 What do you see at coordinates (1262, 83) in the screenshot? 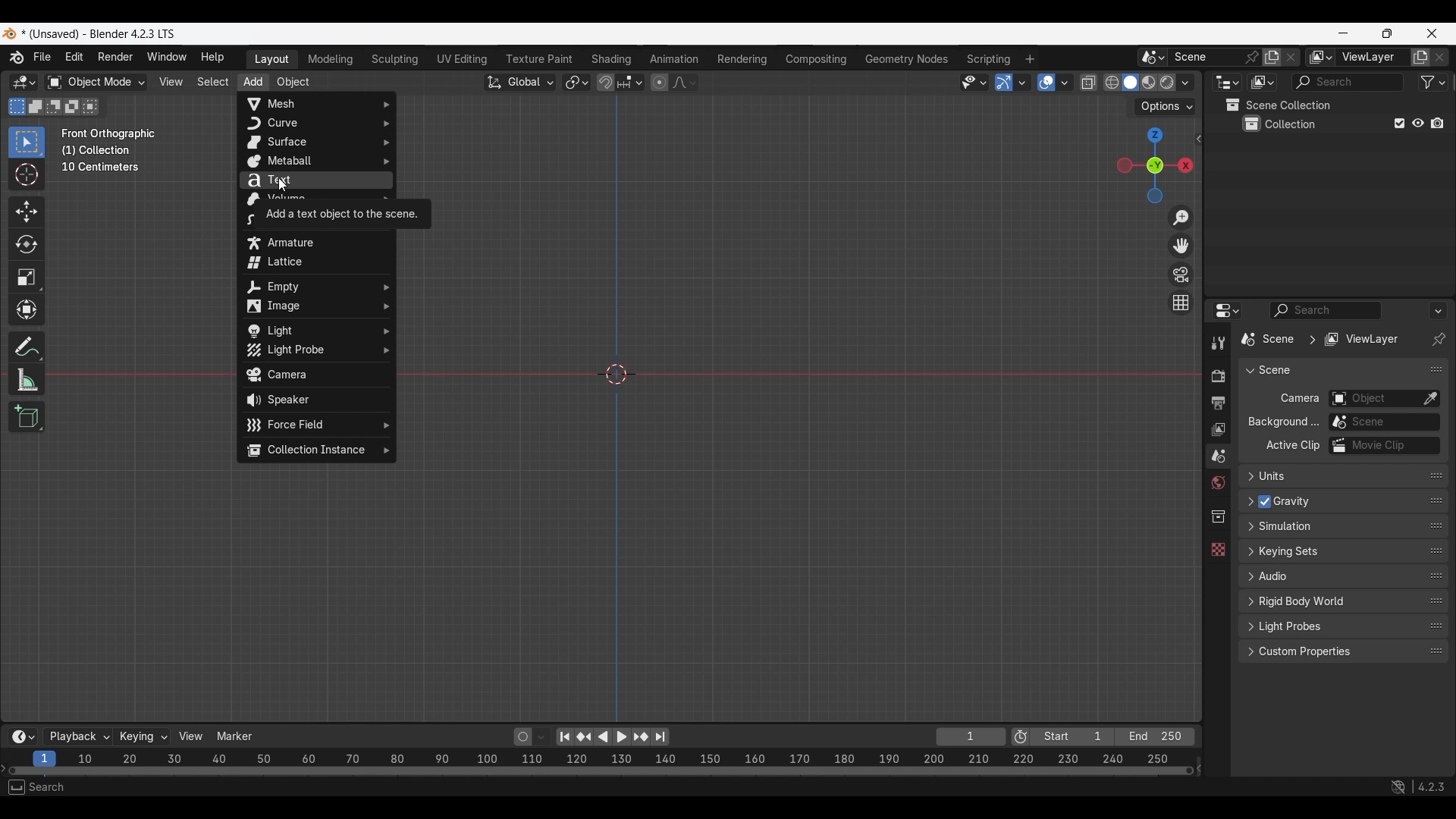
I see `Display mode` at bounding box center [1262, 83].